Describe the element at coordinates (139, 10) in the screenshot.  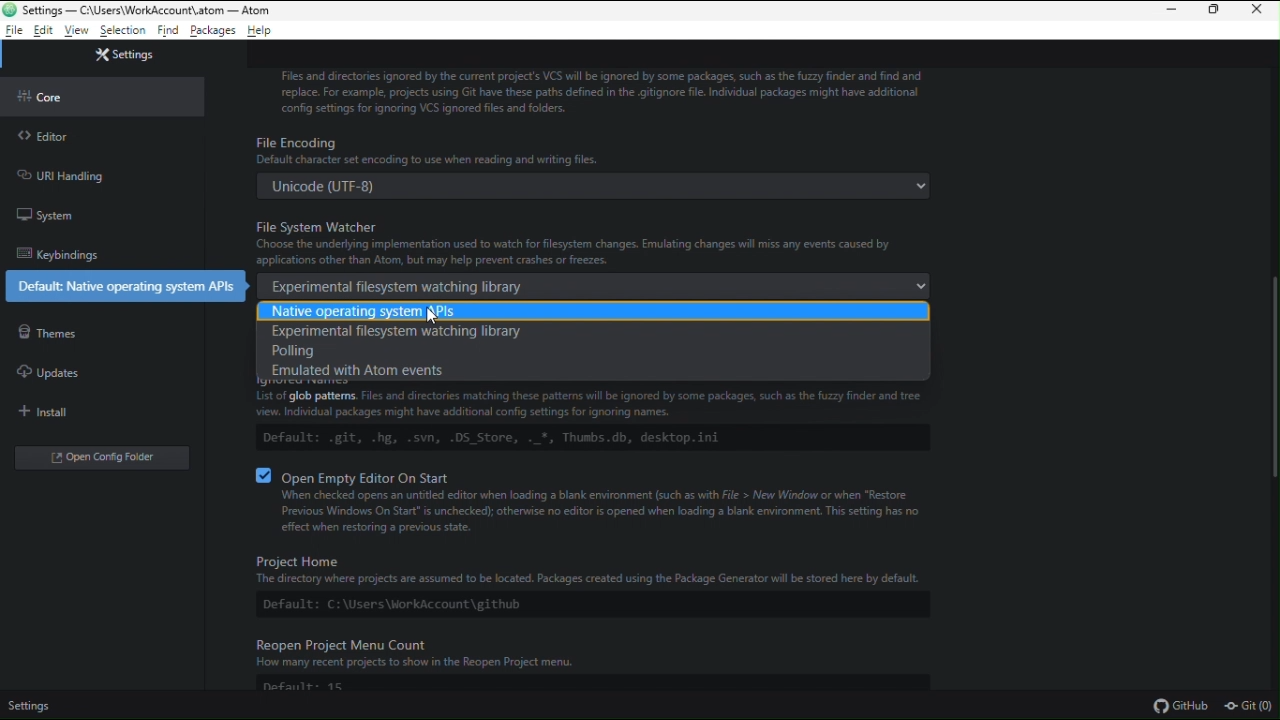
I see `file name and file path` at that location.